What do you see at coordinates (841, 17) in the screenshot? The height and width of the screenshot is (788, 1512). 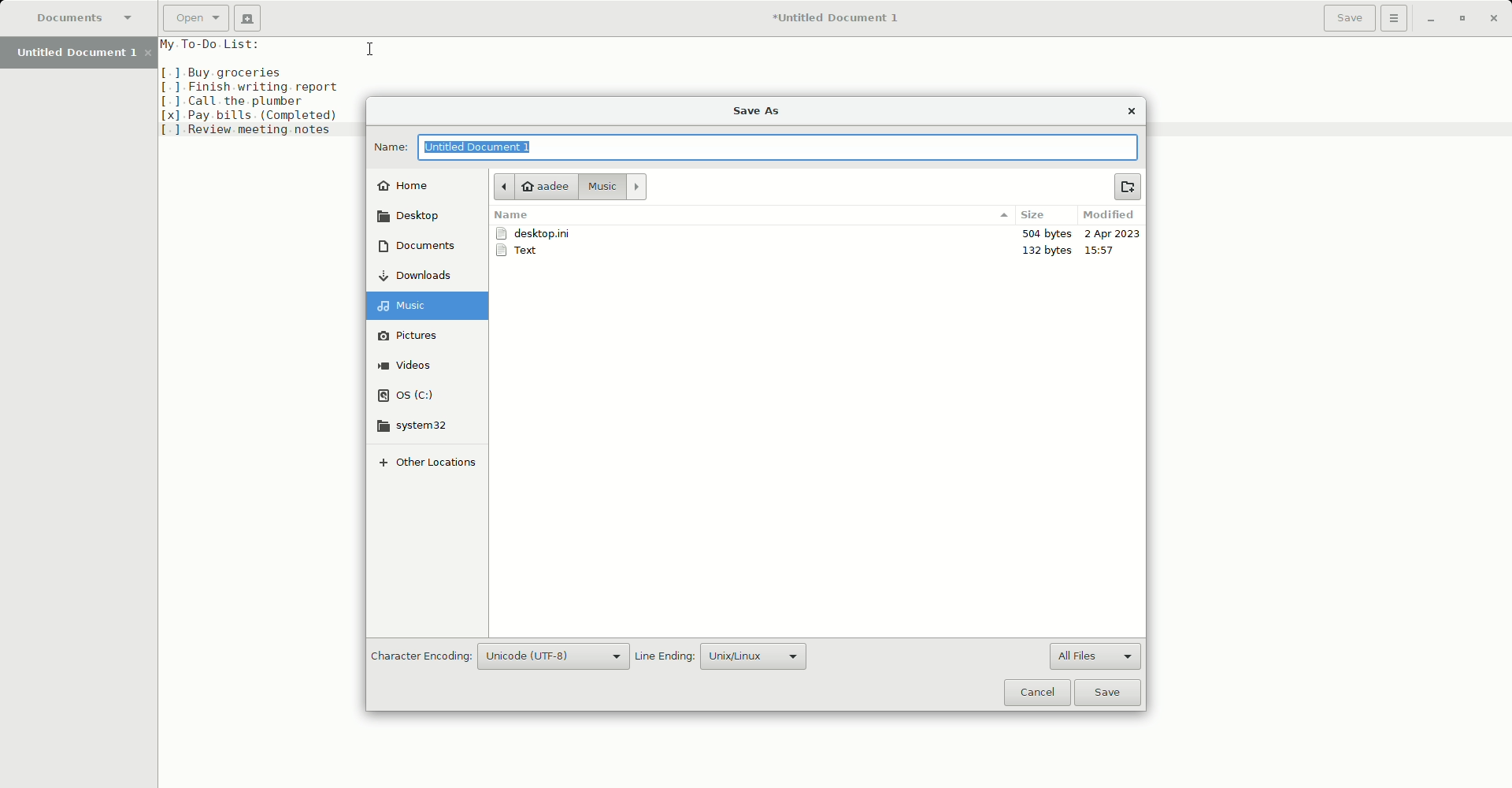 I see `Untitled Document 1` at bounding box center [841, 17].